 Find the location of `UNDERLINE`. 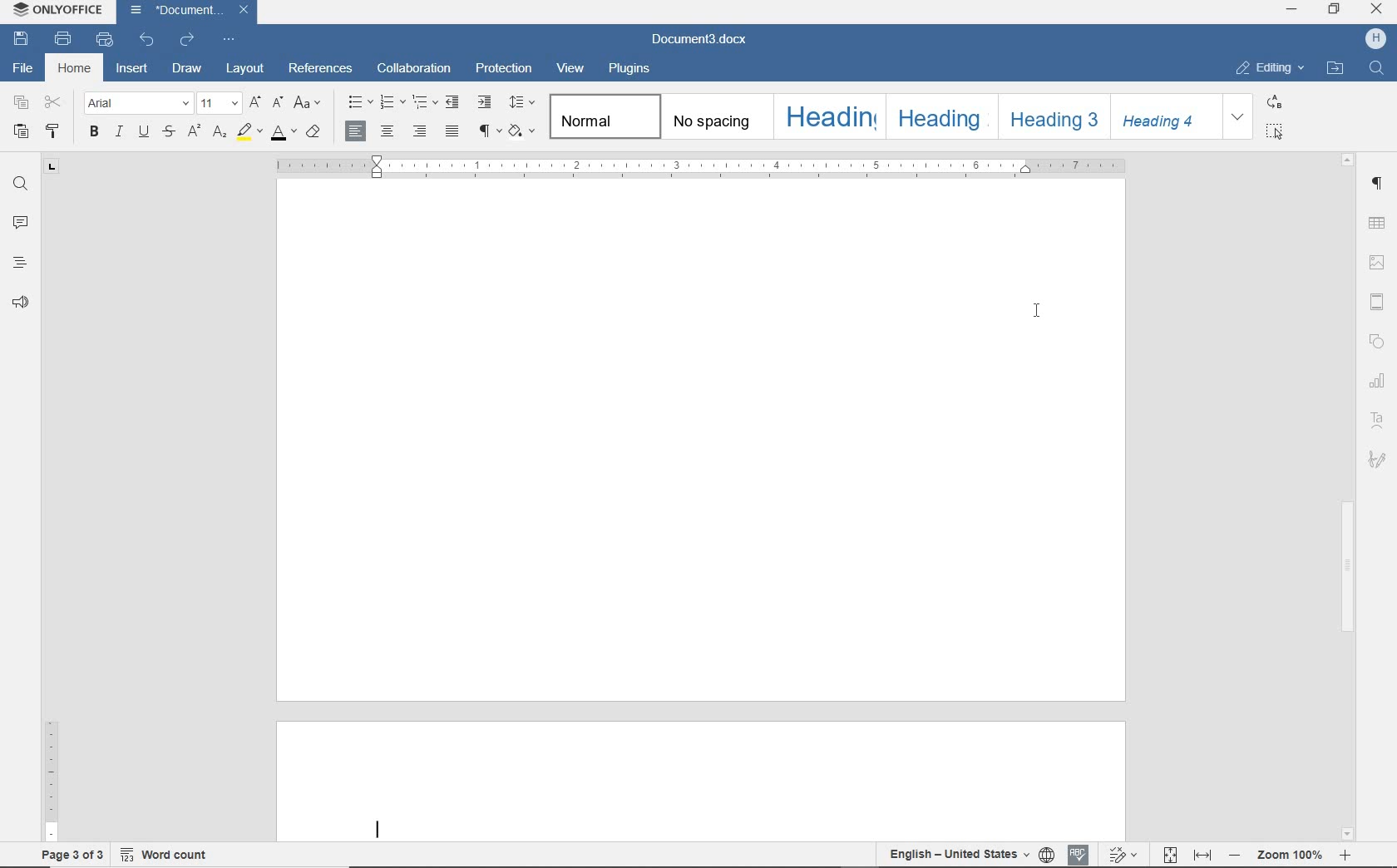

UNDERLINE is located at coordinates (142, 134).